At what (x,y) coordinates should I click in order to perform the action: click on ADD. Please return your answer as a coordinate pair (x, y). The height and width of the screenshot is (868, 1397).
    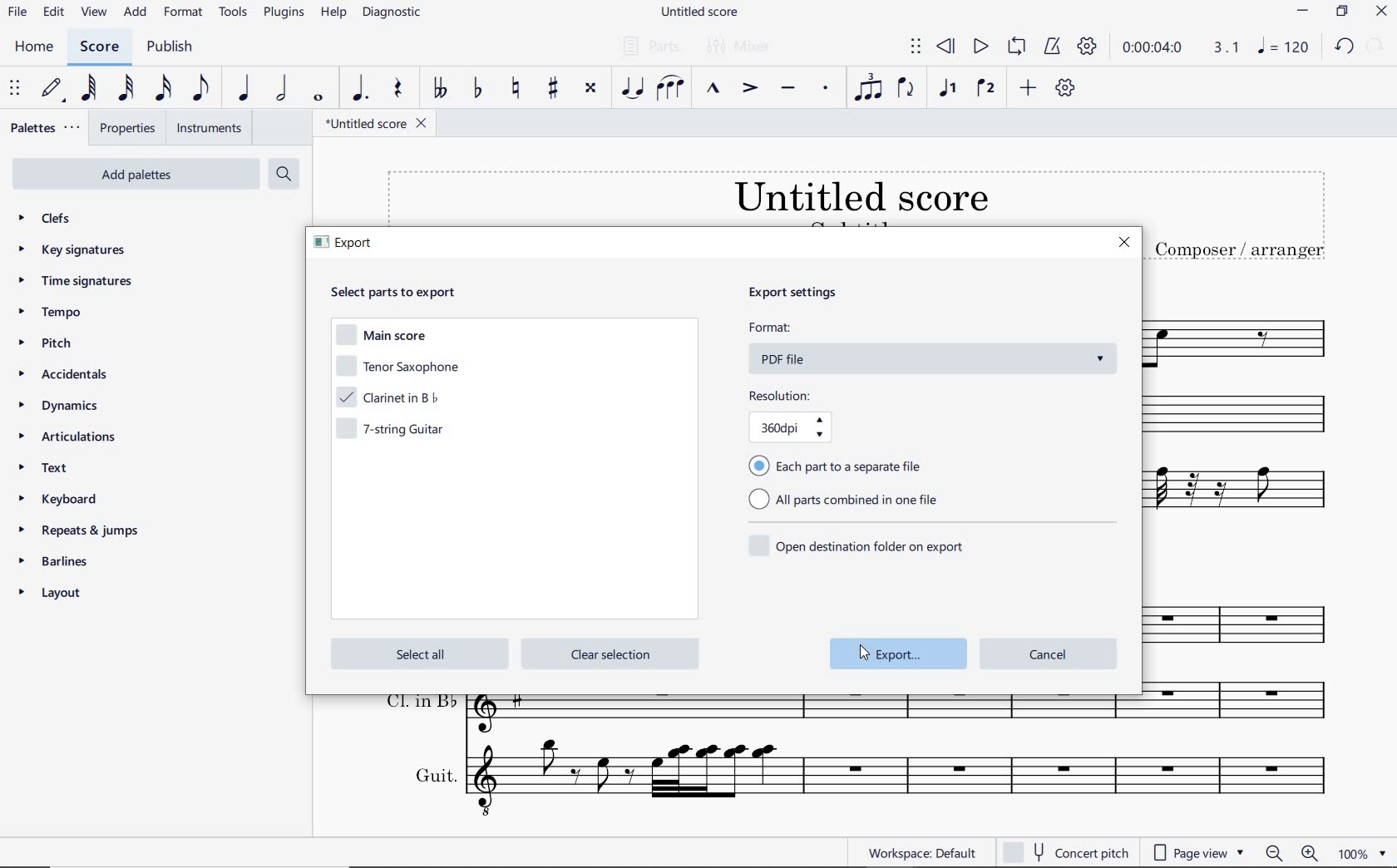
    Looking at the image, I should click on (1030, 87).